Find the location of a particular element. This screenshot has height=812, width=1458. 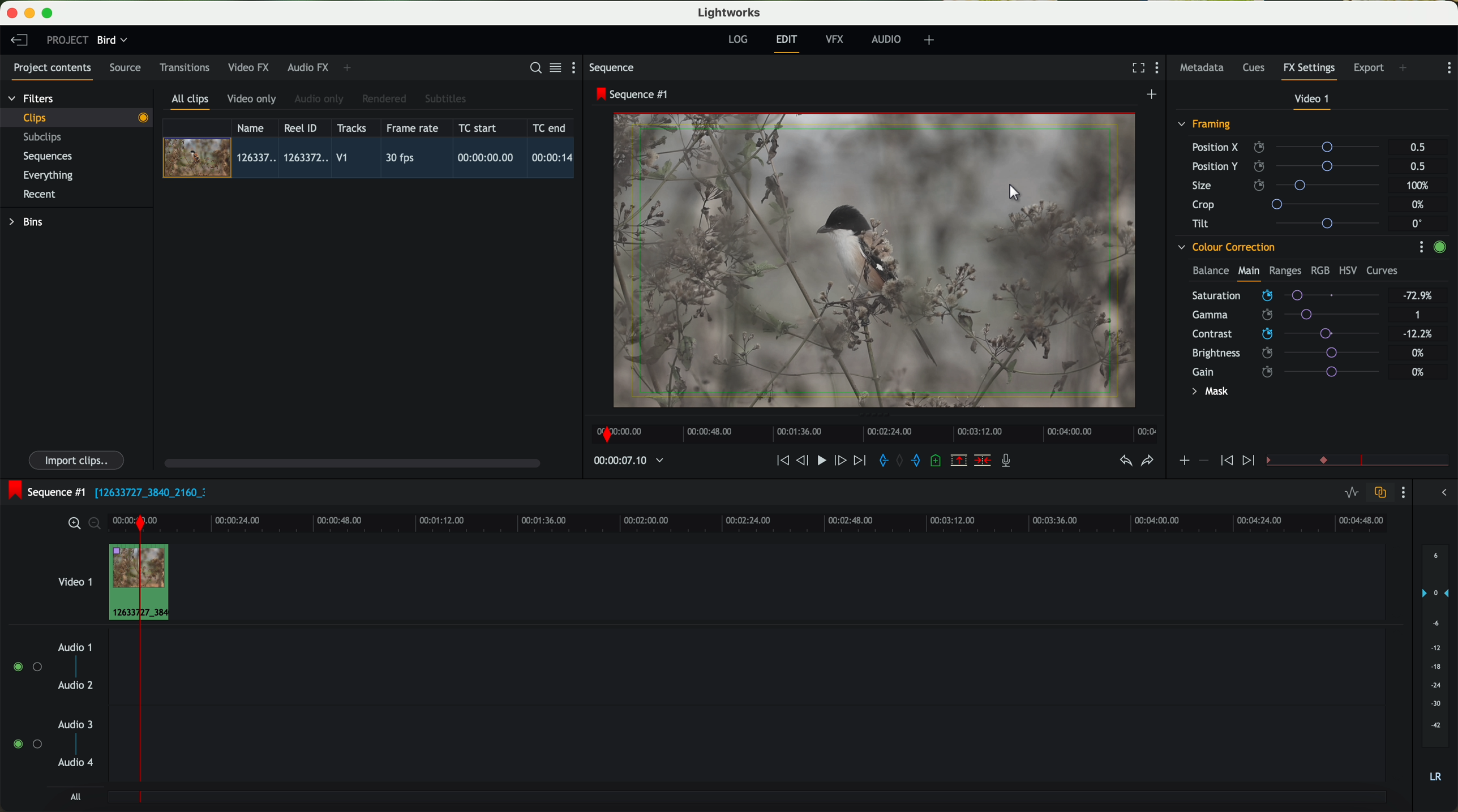

show settings menu is located at coordinates (1421, 247).